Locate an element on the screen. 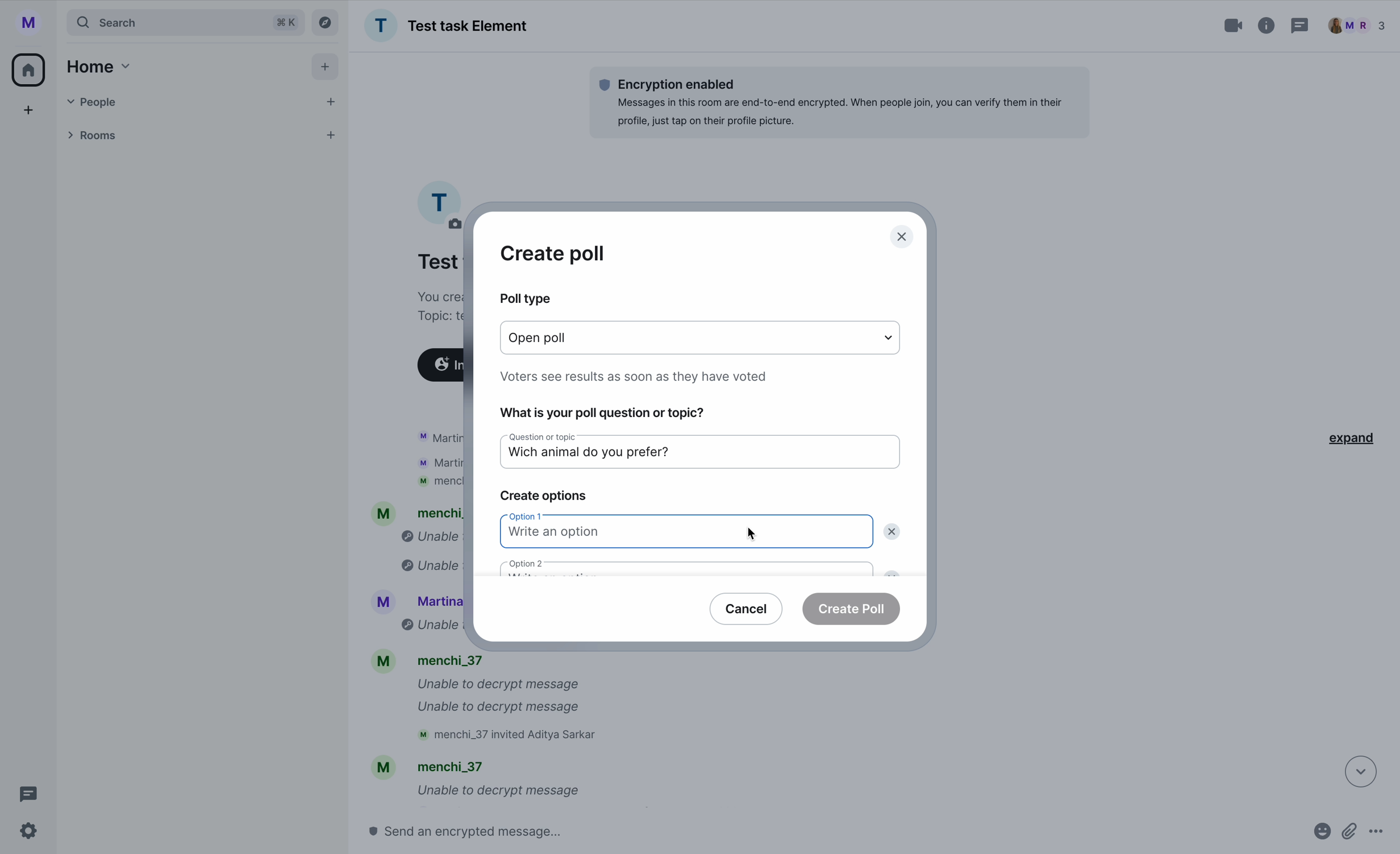  M menchi_37
Unable to decrypt message
Unable to decrypt message
M menchi_37 invited Aditya Sarkar is located at coordinates (491, 700).